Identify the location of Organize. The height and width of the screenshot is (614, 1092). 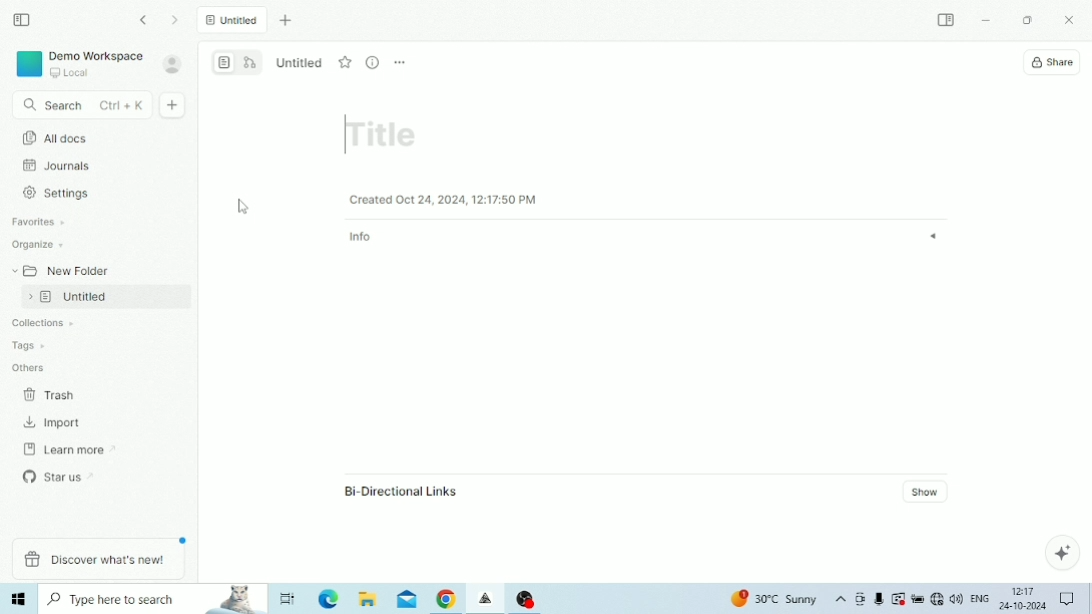
(39, 245).